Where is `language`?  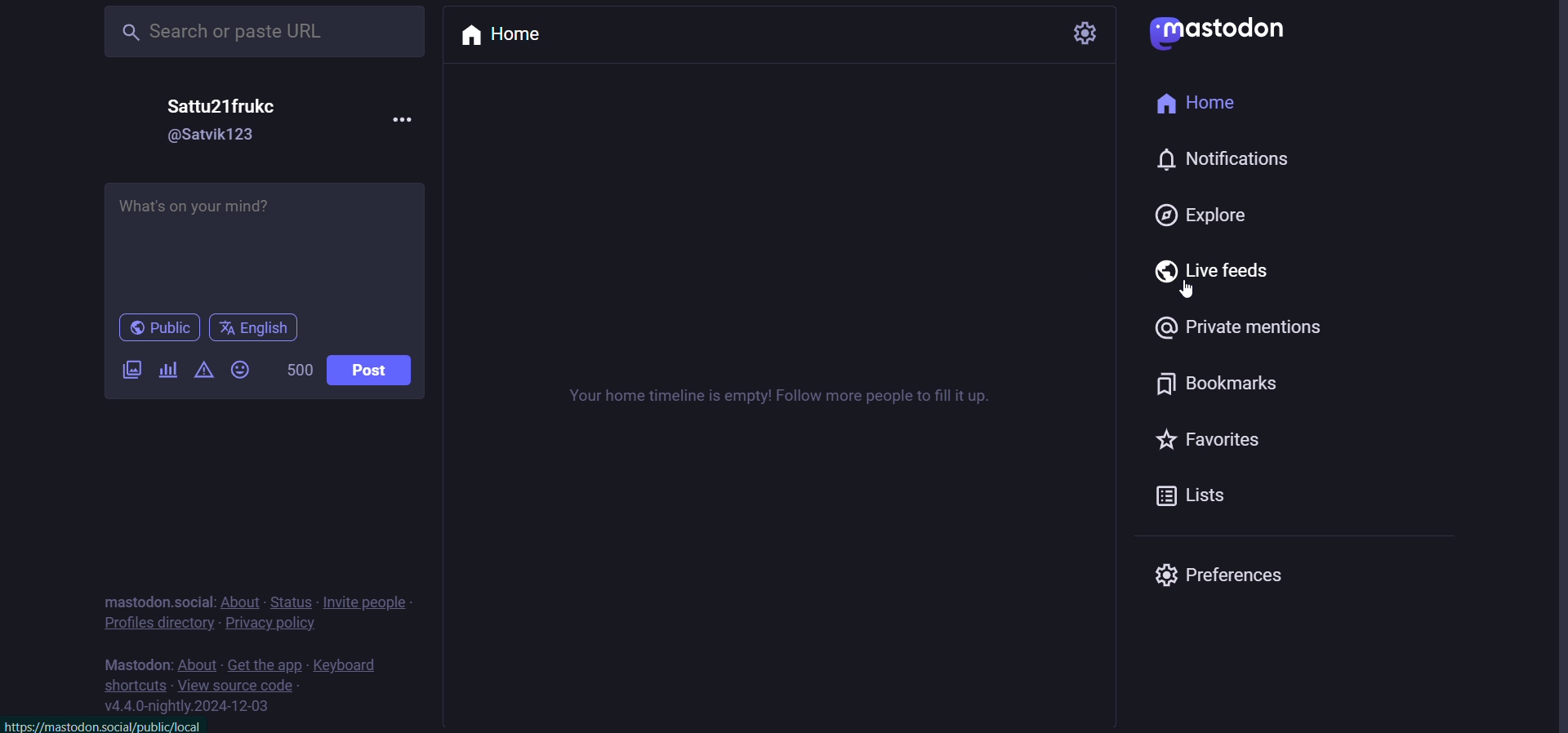
language is located at coordinates (259, 328).